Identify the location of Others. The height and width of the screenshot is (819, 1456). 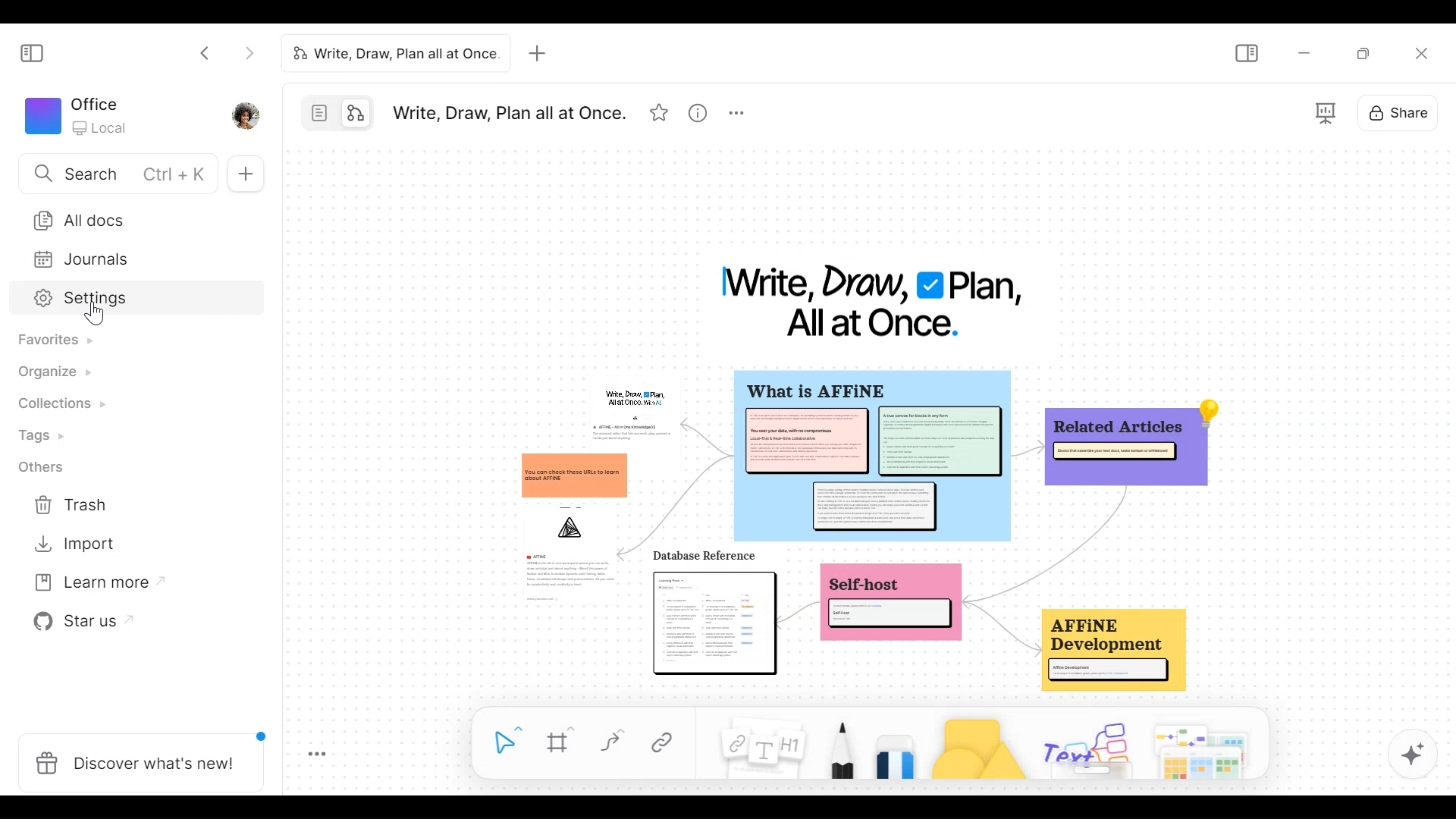
(1145, 750).